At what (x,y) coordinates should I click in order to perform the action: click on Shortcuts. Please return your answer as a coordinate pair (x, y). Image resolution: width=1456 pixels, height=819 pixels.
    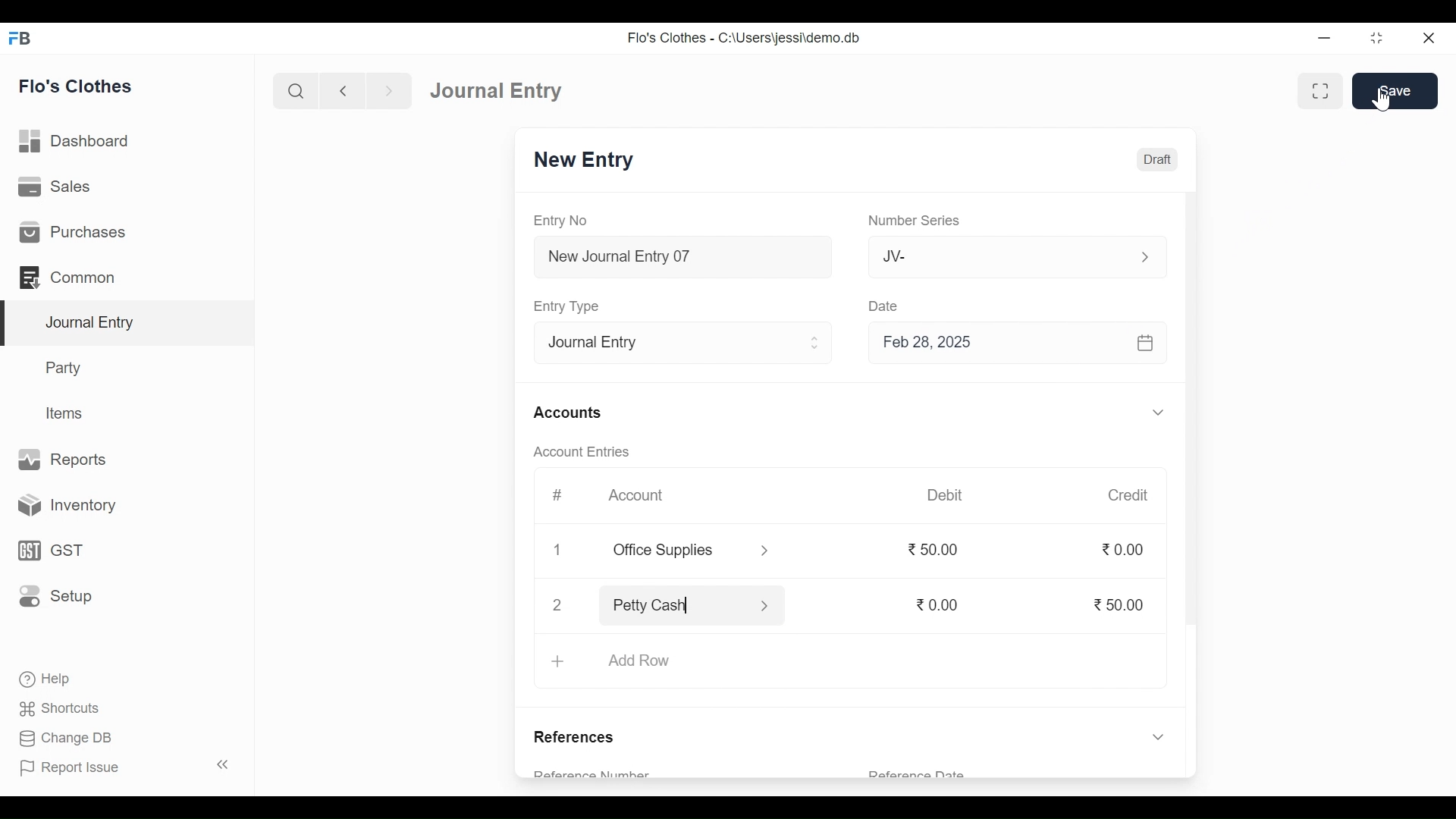
    Looking at the image, I should click on (68, 706).